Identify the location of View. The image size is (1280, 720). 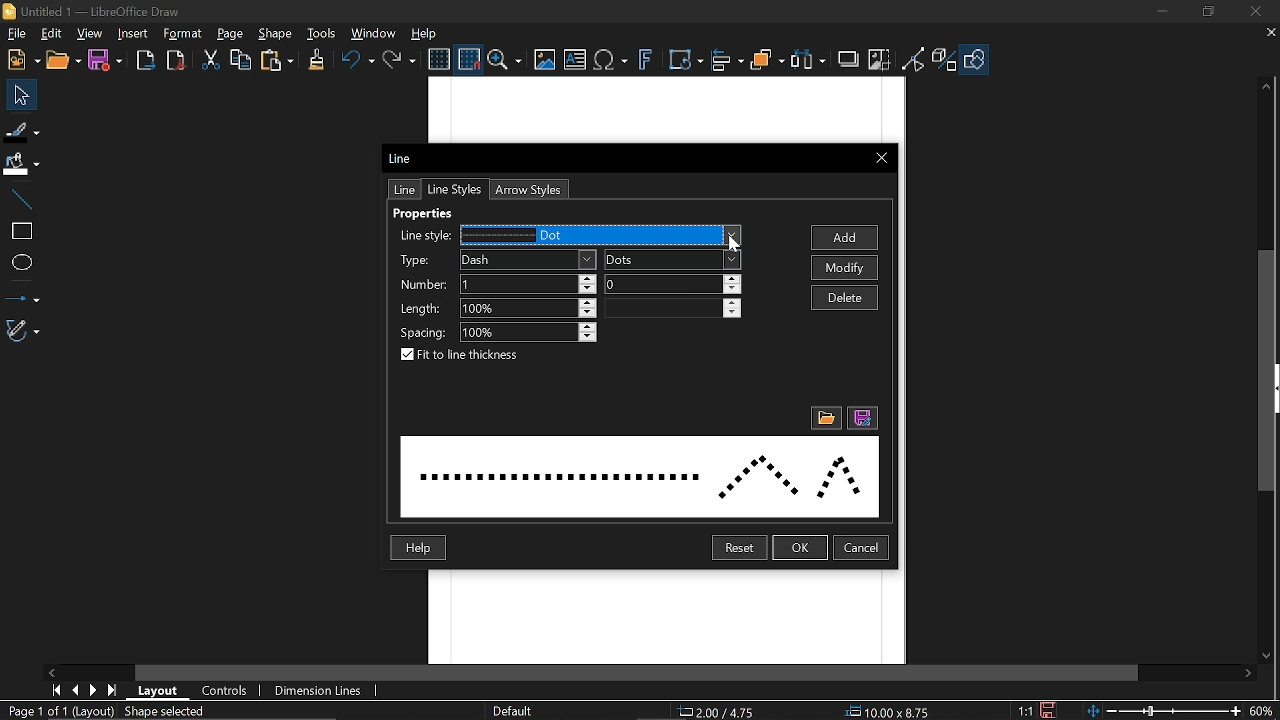
(90, 32).